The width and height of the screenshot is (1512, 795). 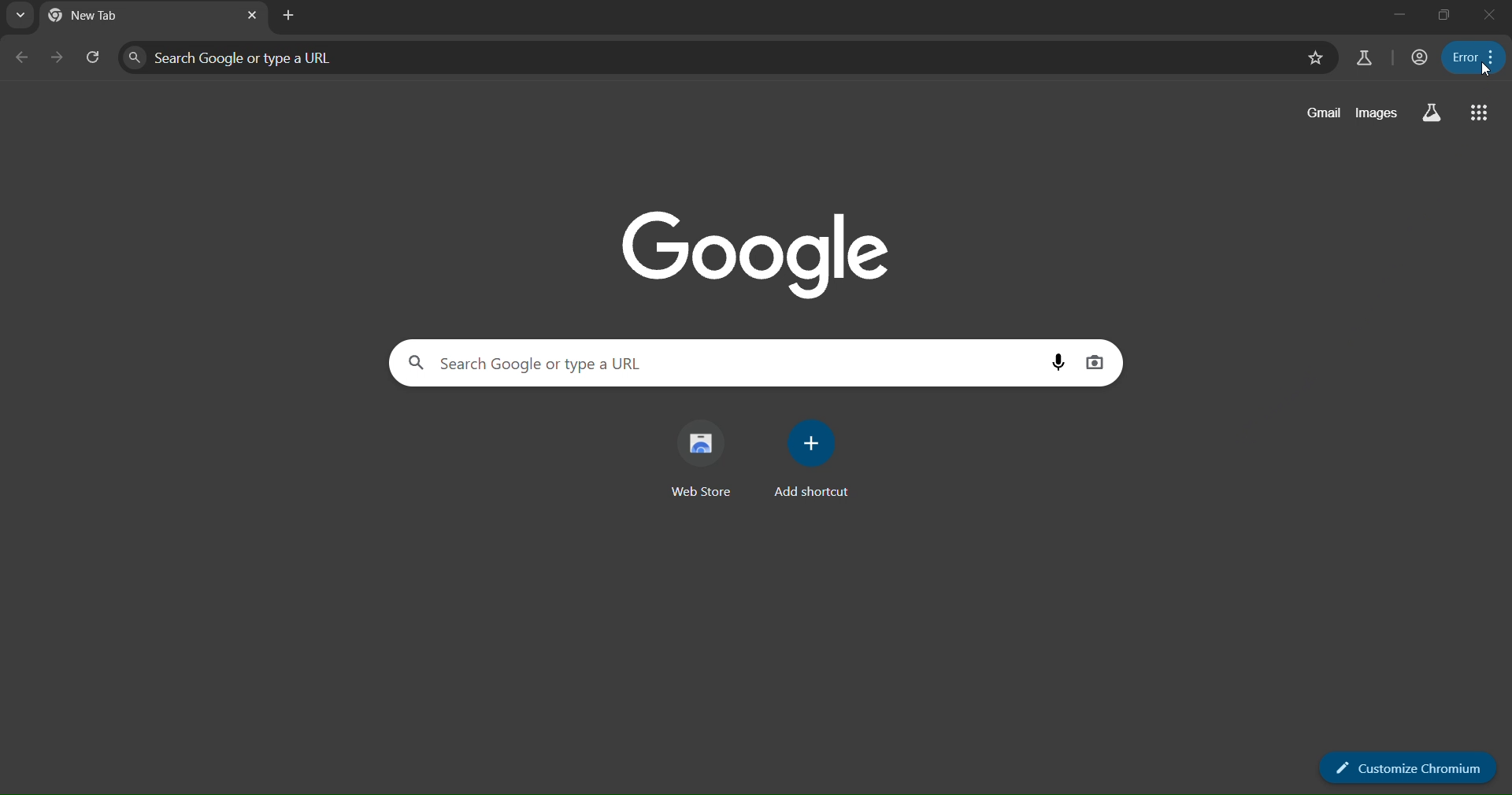 What do you see at coordinates (1432, 113) in the screenshot?
I see `search labs` at bounding box center [1432, 113].